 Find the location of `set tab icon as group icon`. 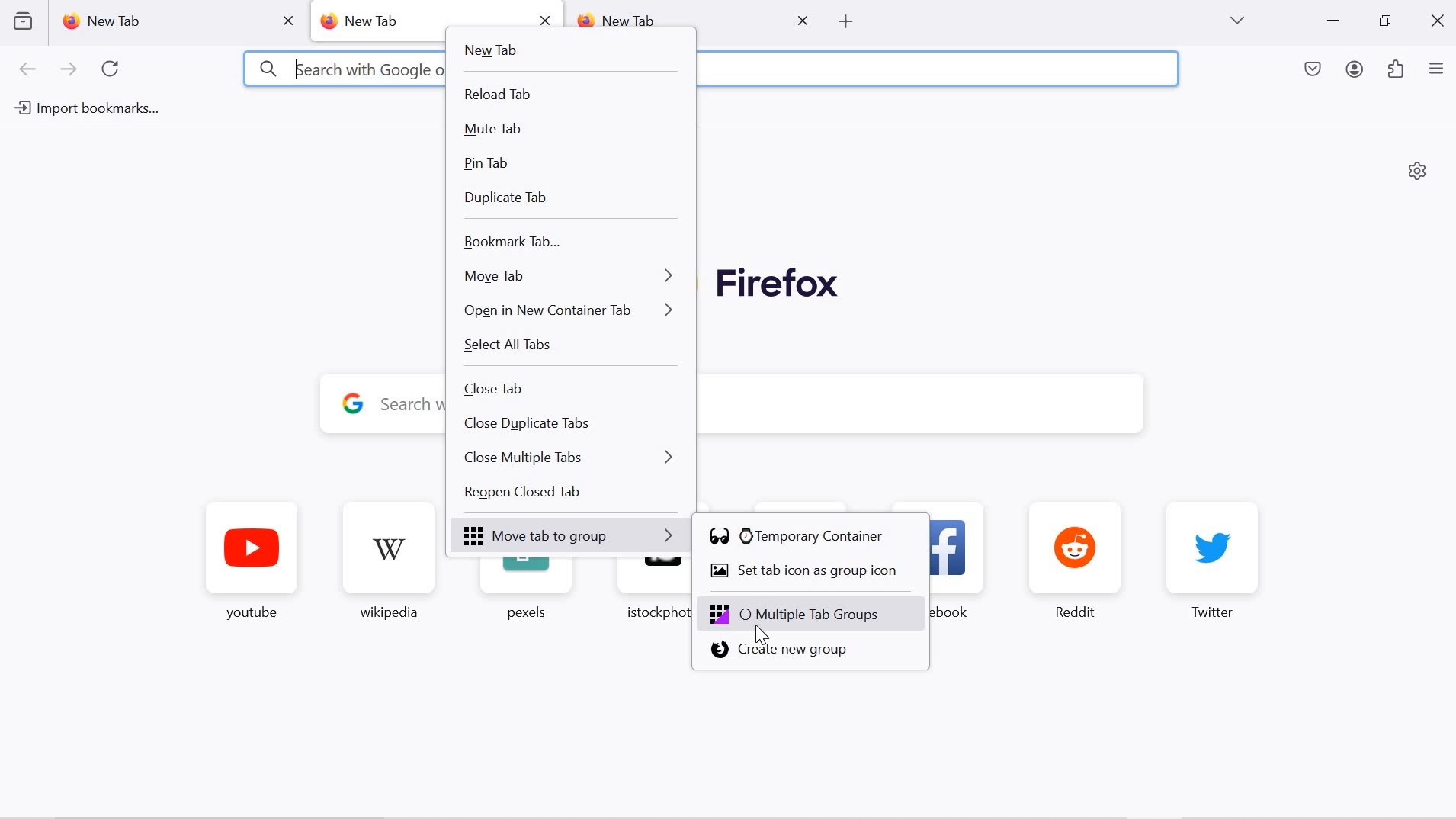

set tab icon as group icon is located at coordinates (805, 573).